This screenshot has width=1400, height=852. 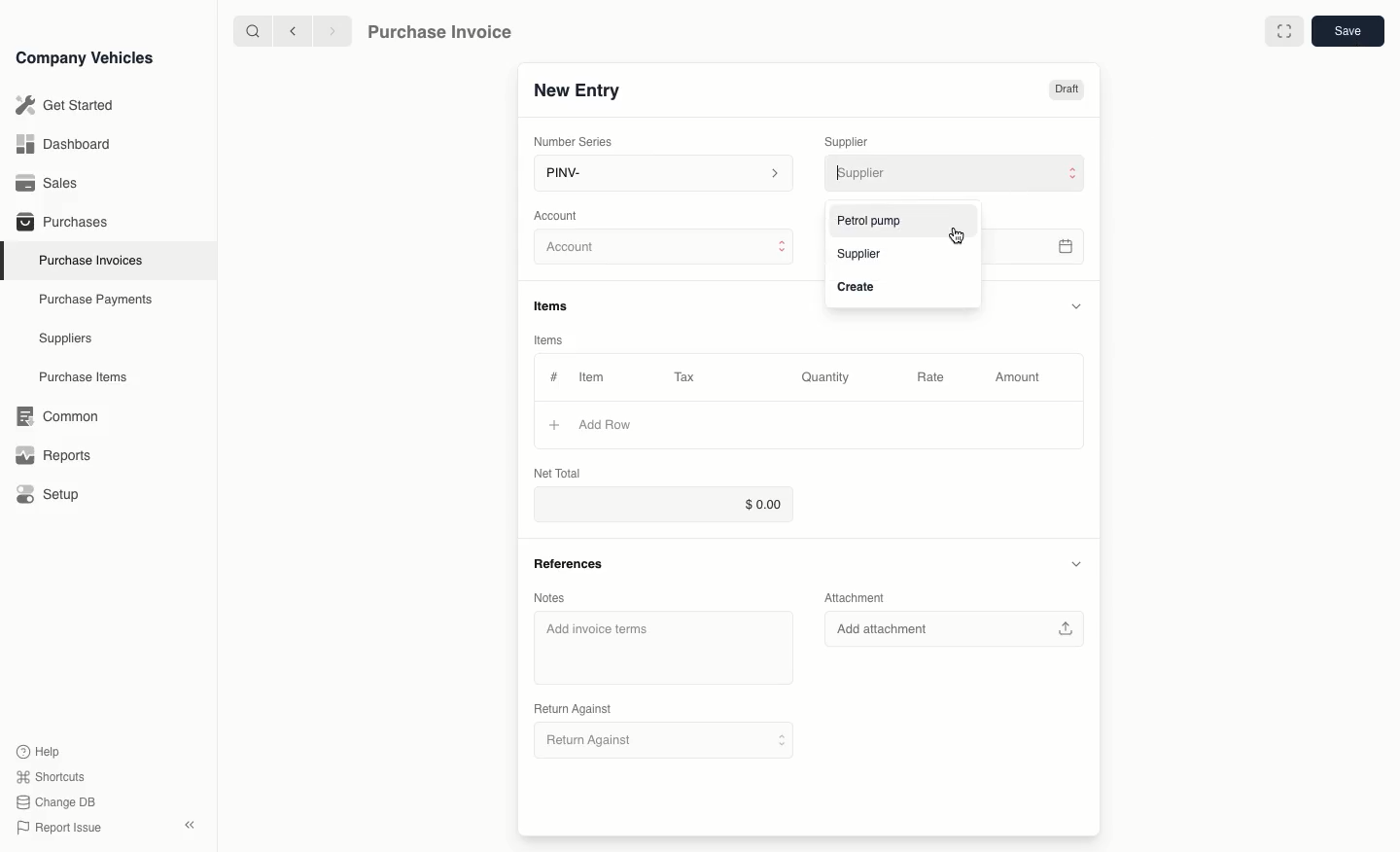 I want to click on Supplier, so click(x=859, y=139).